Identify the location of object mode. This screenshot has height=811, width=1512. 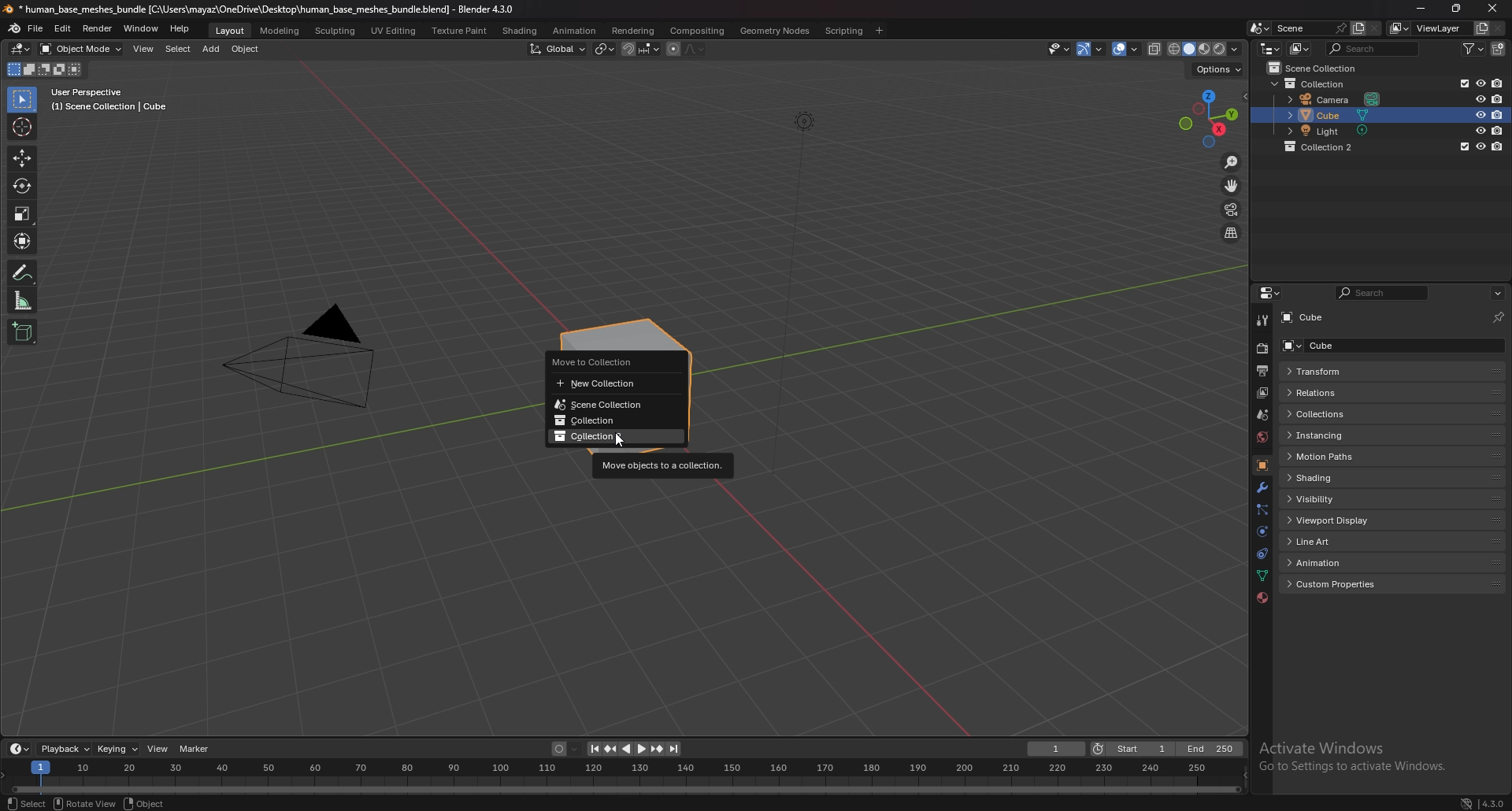
(80, 49).